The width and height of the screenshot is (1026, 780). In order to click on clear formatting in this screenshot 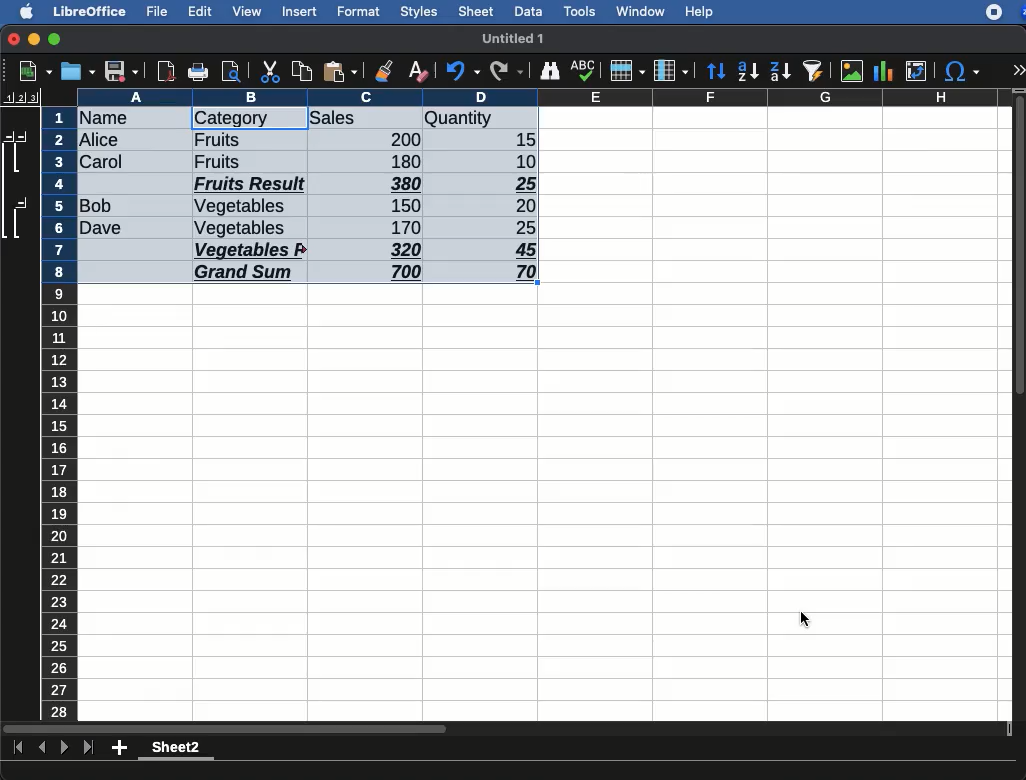, I will do `click(417, 72)`.